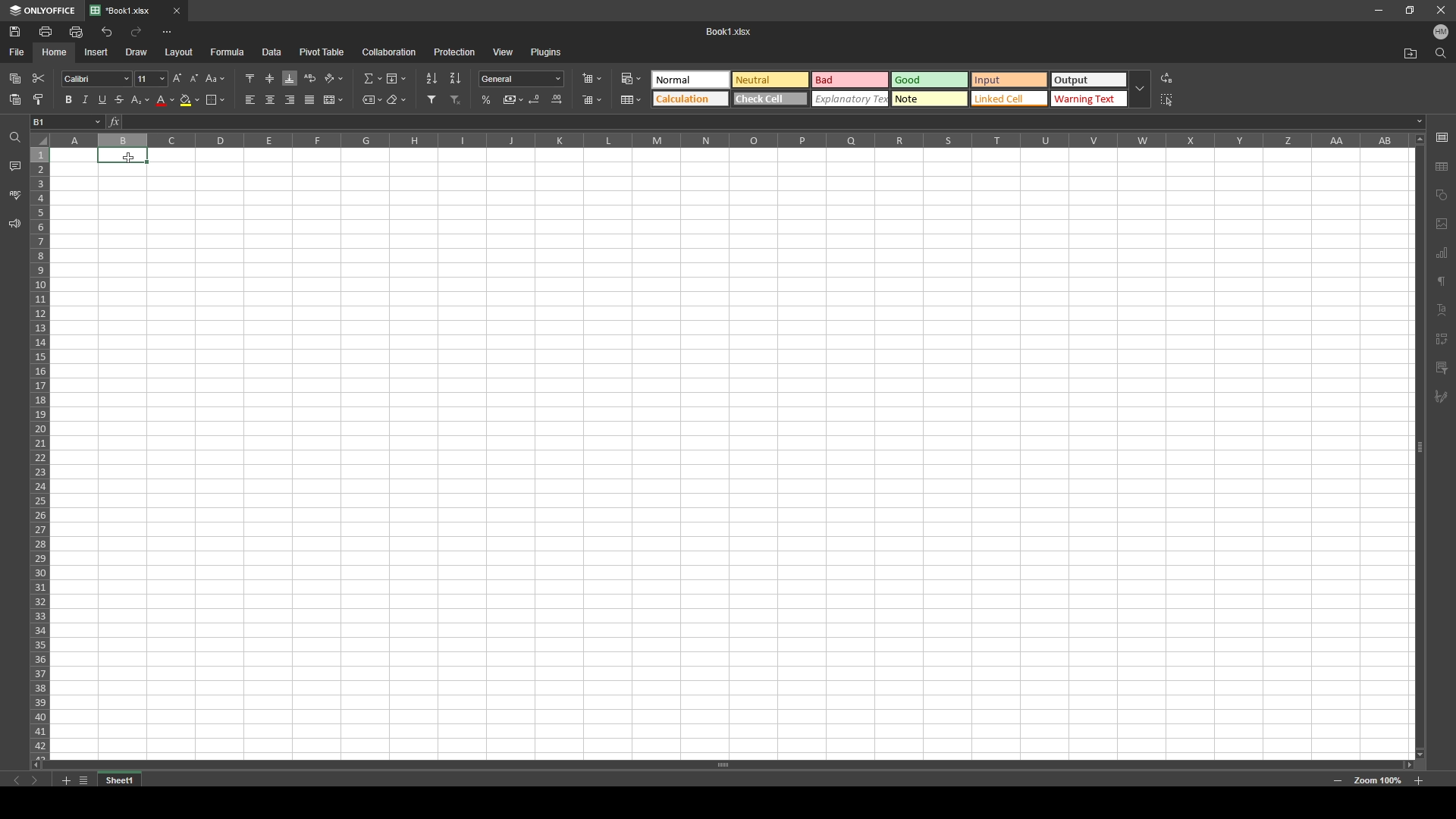 The width and height of the screenshot is (1456, 819). Describe the element at coordinates (15, 224) in the screenshot. I see `feedback` at that location.